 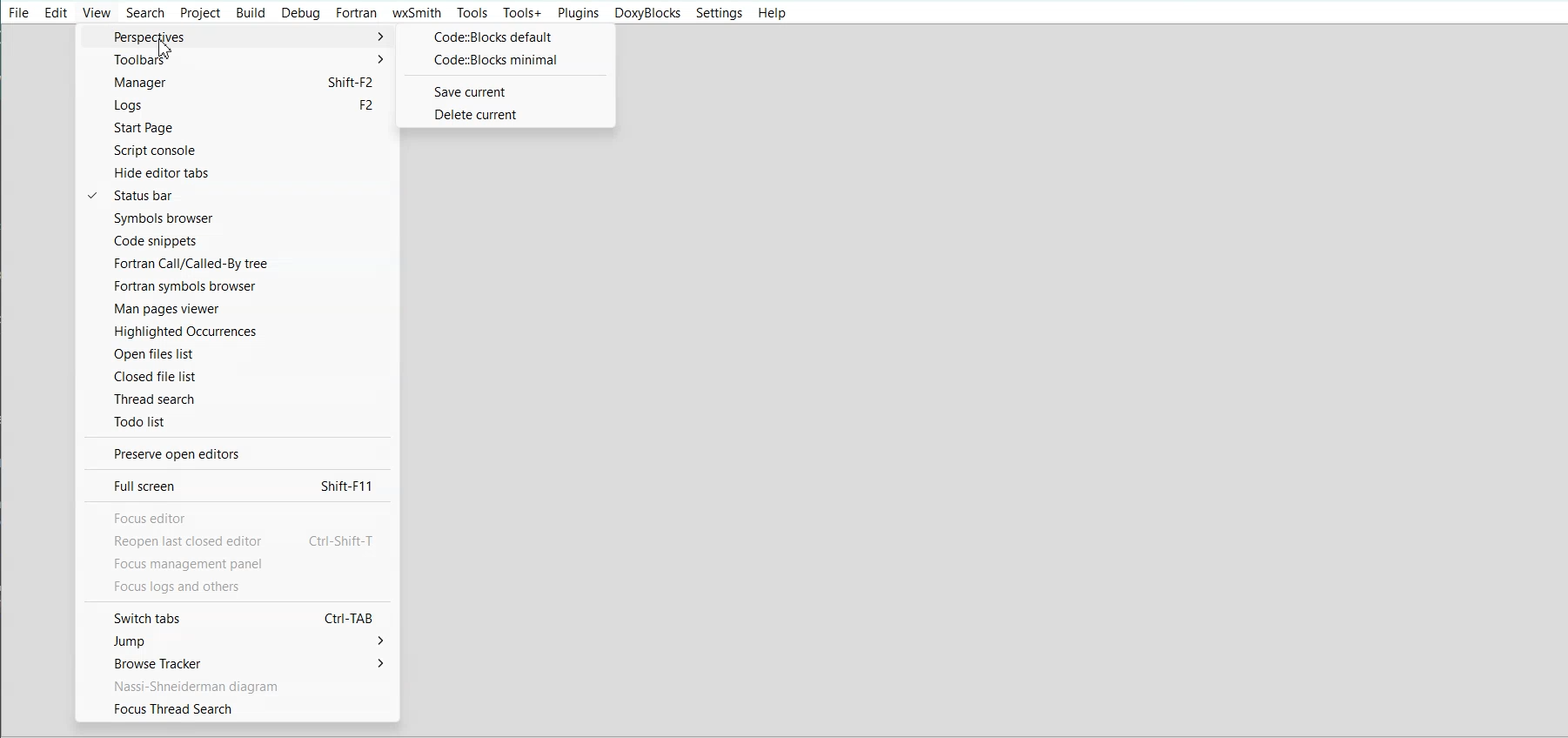 What do you see at coordinates (166, 49) in the screenshot?
I see `Cursor` at bounding box center [166, 49].